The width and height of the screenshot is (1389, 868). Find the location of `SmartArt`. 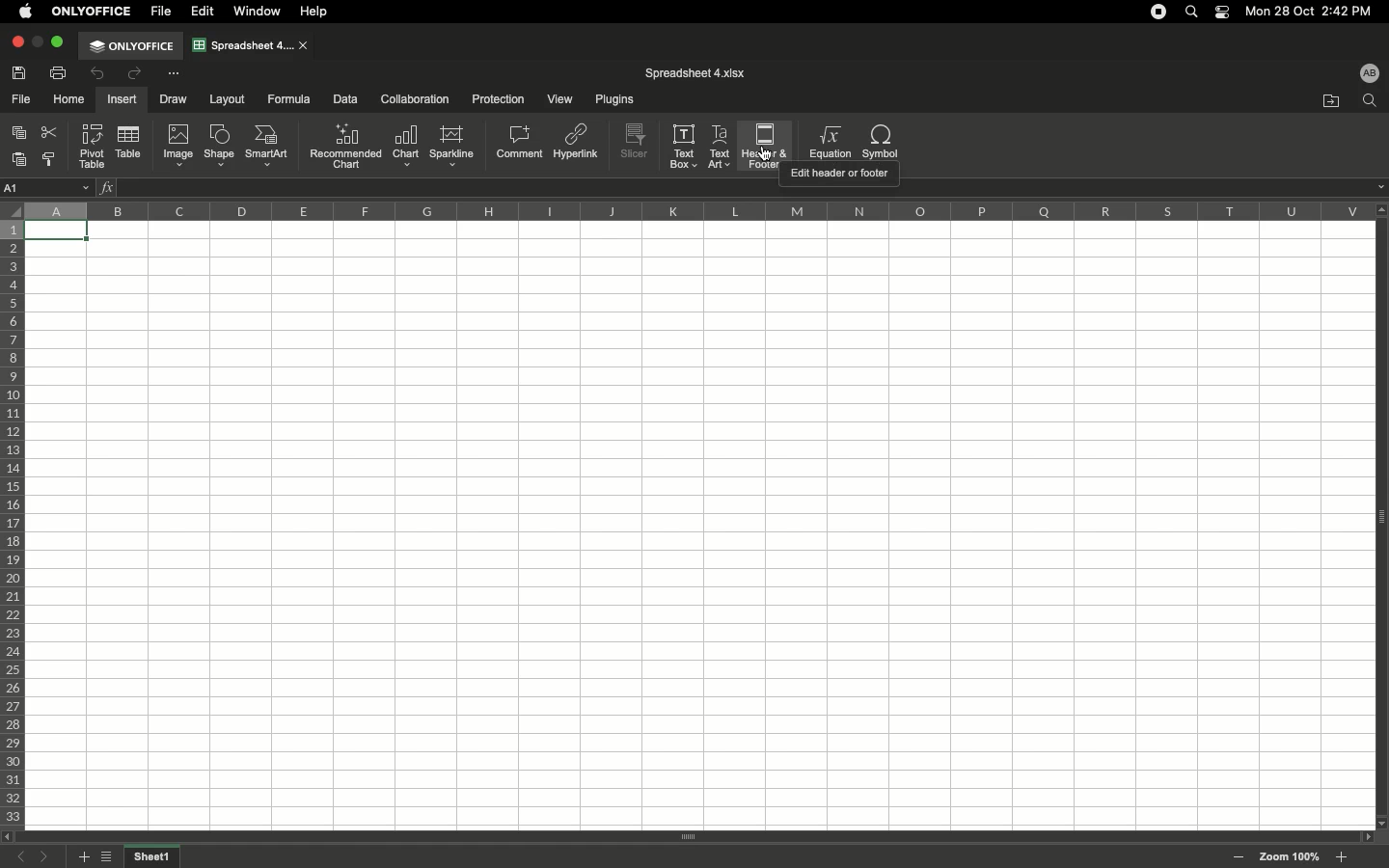

SmartArt is located at coordinates (269, 147).